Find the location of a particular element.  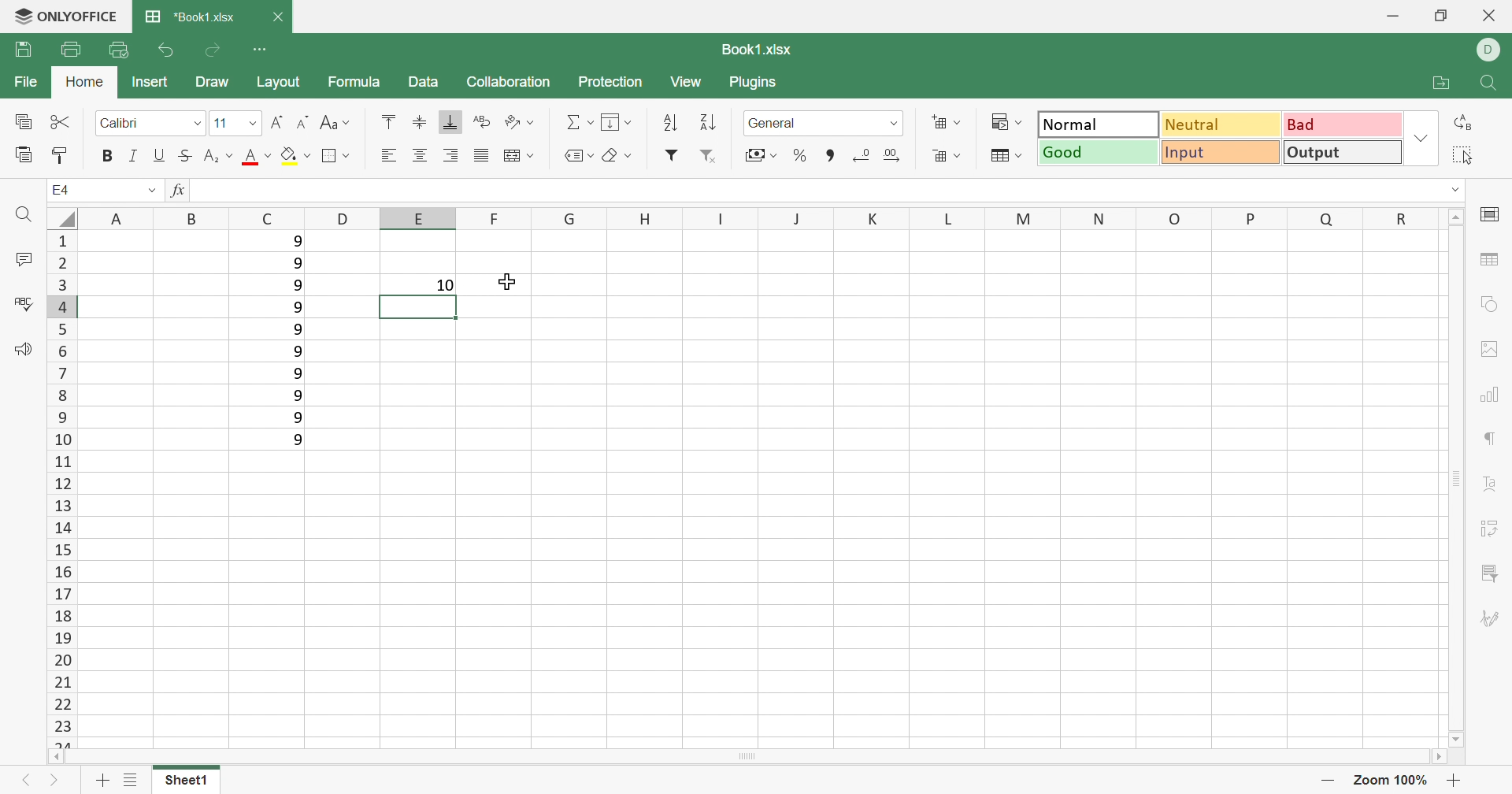

Column names is located at coordinates (732, 217).